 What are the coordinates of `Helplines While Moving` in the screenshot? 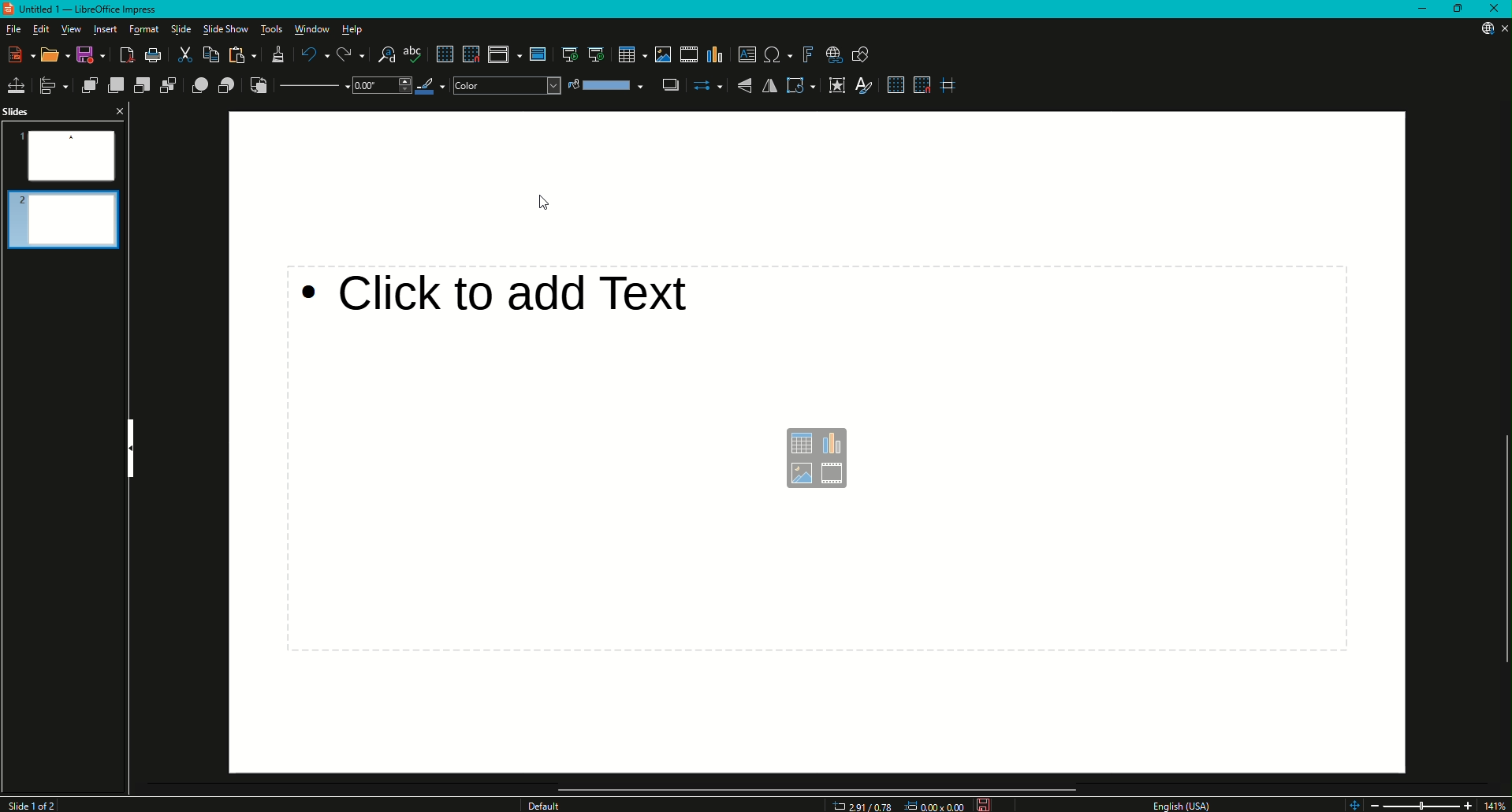 It's located at (953, 86).